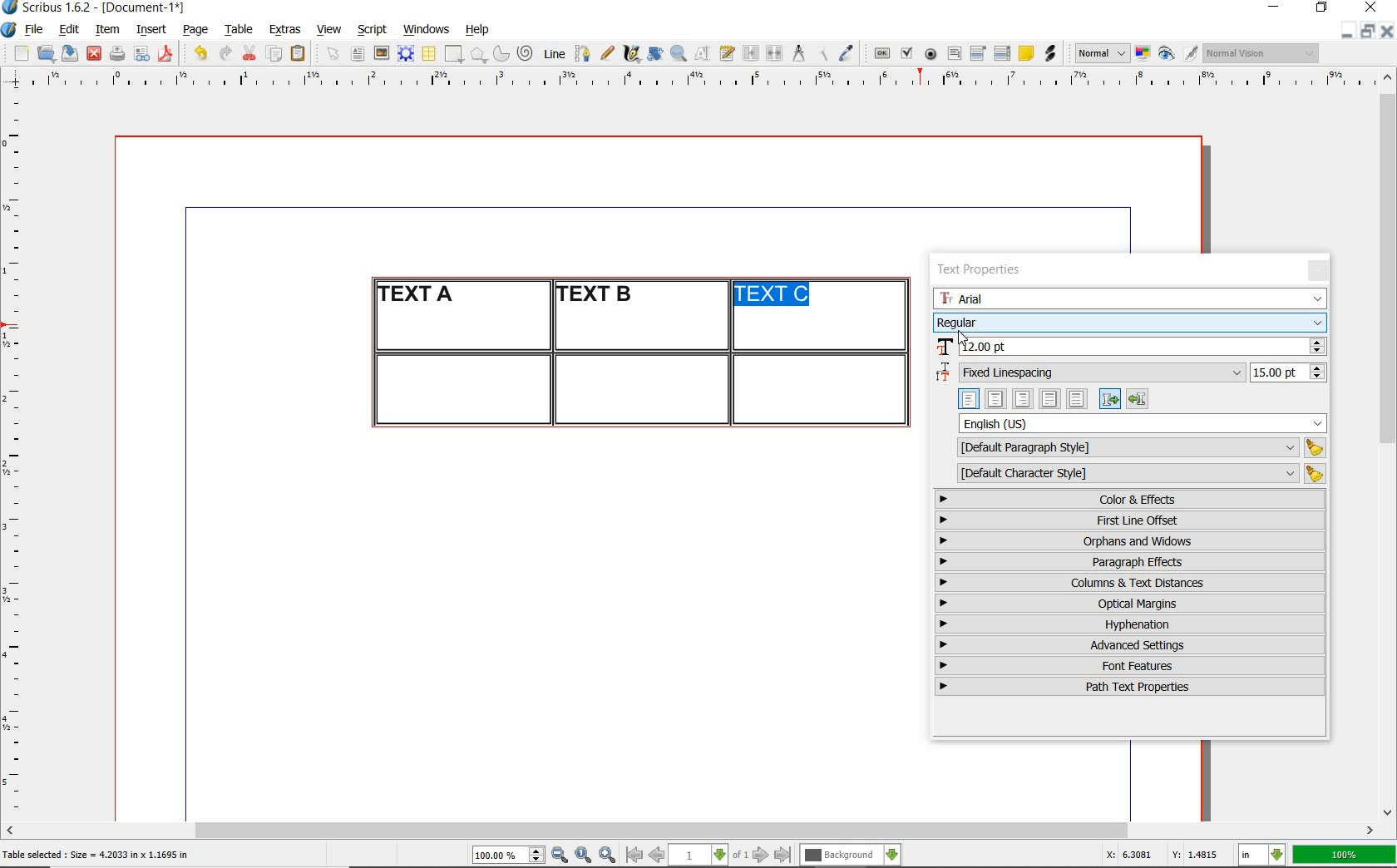  Describe the element at coordinates (1374, 7) in the screenshot. I see `close` at that location.